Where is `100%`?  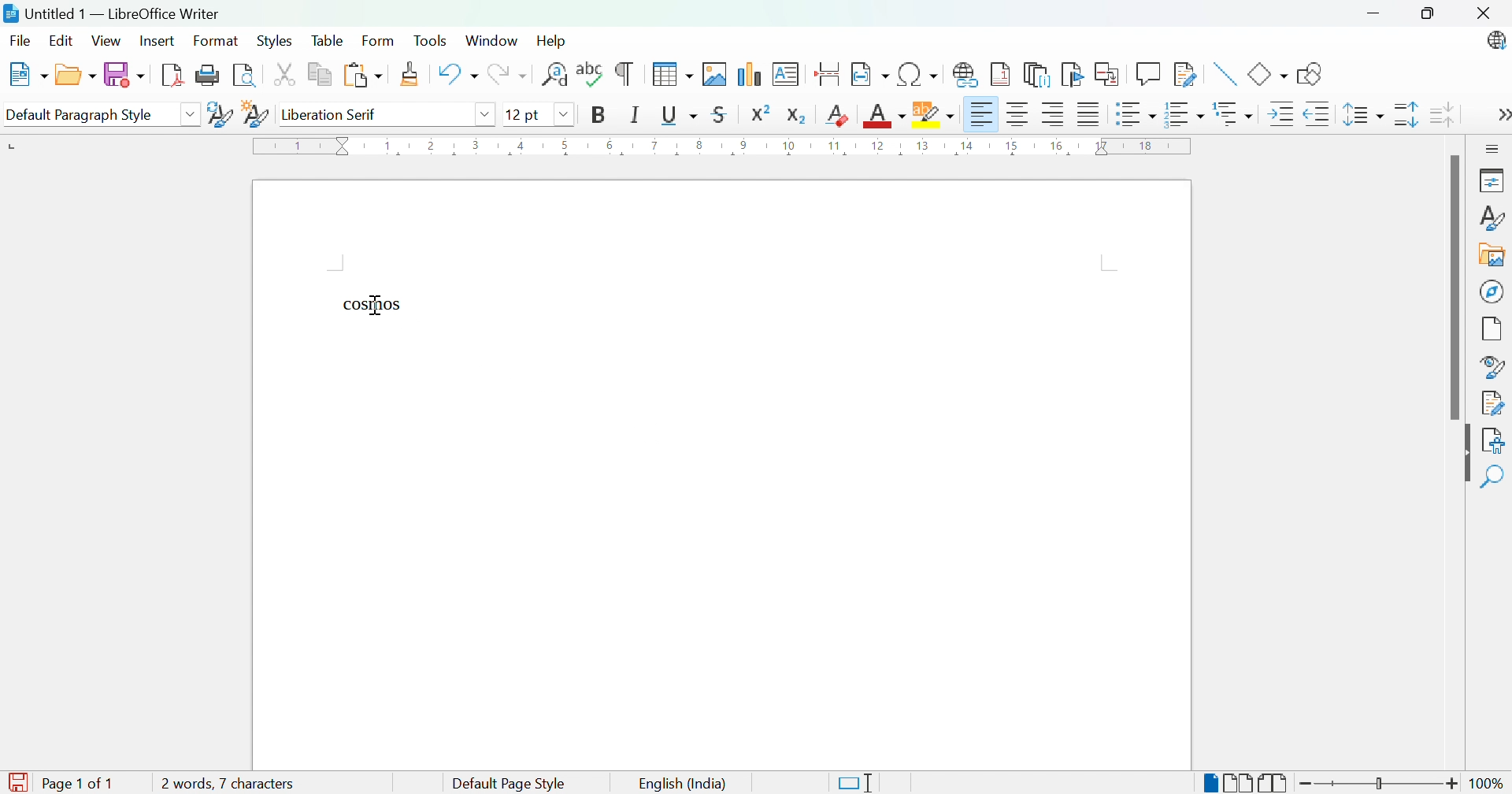
100% is located at coordinates (1490, 785).